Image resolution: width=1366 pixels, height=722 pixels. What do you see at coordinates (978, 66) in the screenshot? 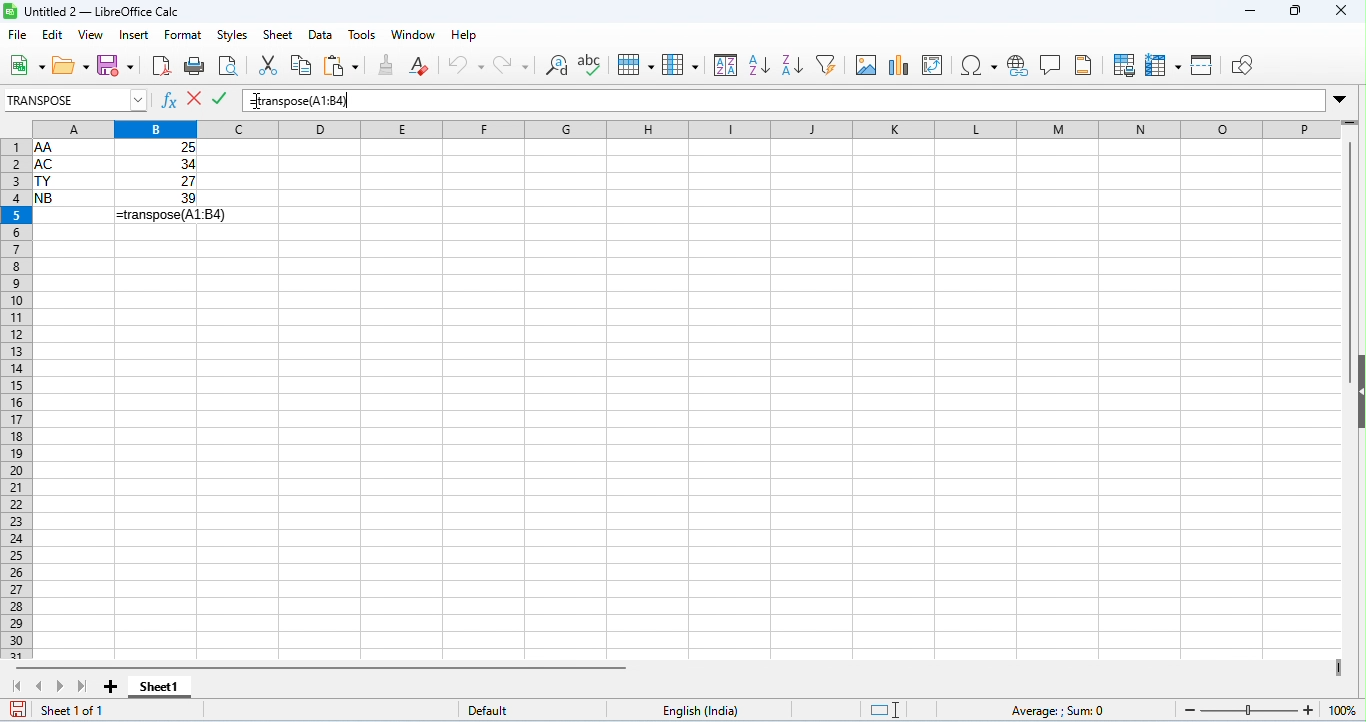
I see `insert special characters` at bounding box center [978, 66].